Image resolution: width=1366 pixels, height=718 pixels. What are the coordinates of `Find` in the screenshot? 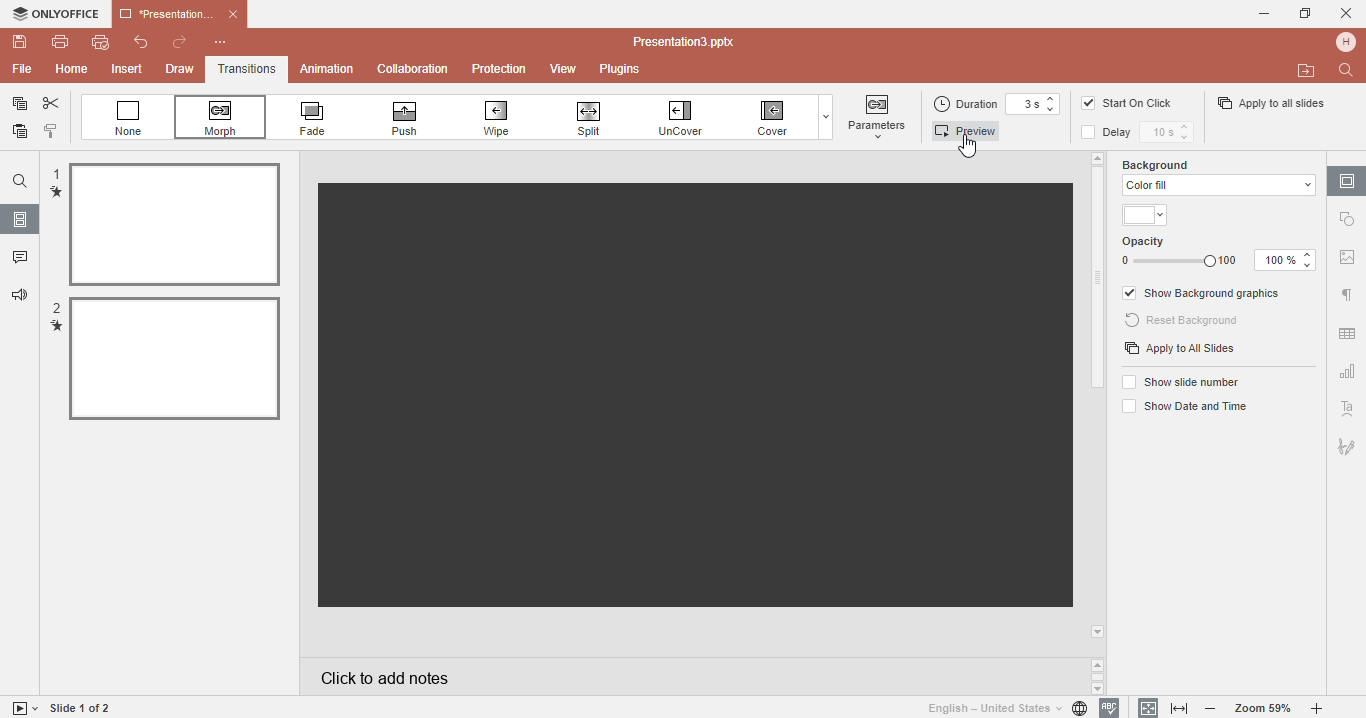 It's located at (19, 181).